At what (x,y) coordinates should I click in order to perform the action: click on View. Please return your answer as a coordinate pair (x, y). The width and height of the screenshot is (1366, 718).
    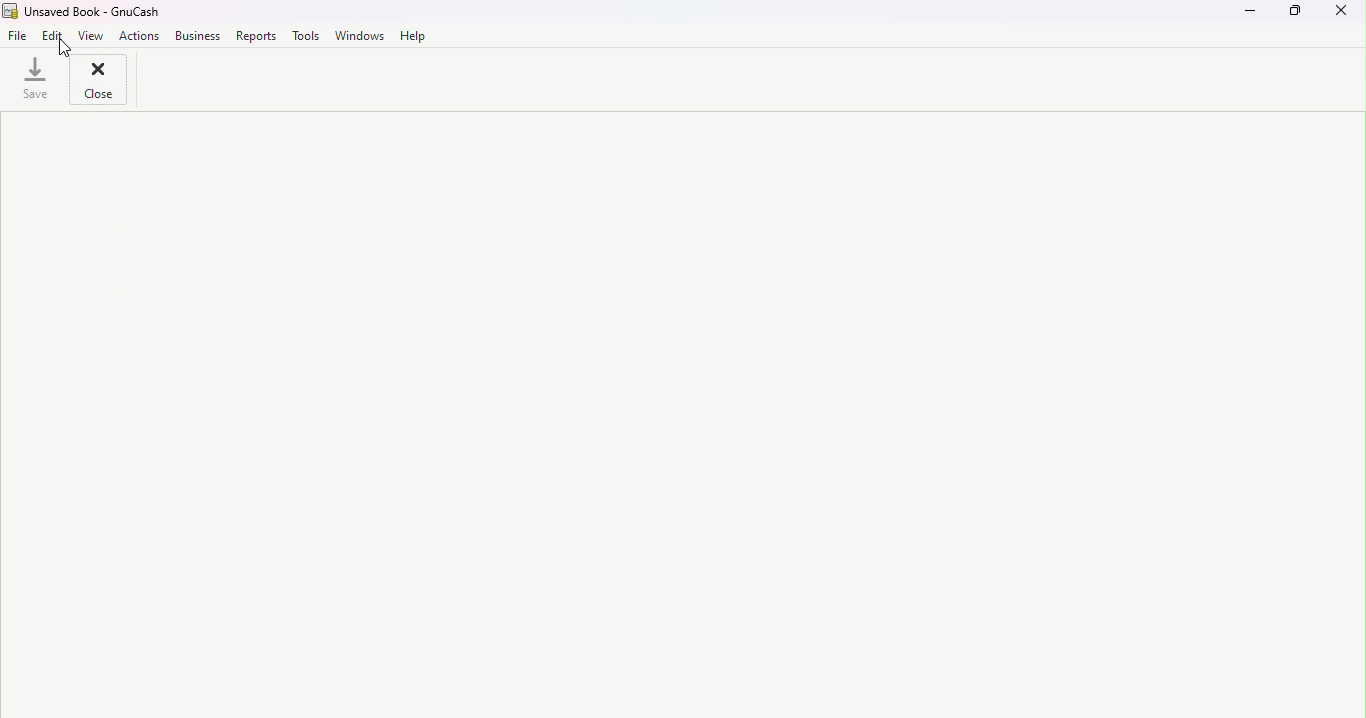
    Looking at the image, I should click on (92, 36).